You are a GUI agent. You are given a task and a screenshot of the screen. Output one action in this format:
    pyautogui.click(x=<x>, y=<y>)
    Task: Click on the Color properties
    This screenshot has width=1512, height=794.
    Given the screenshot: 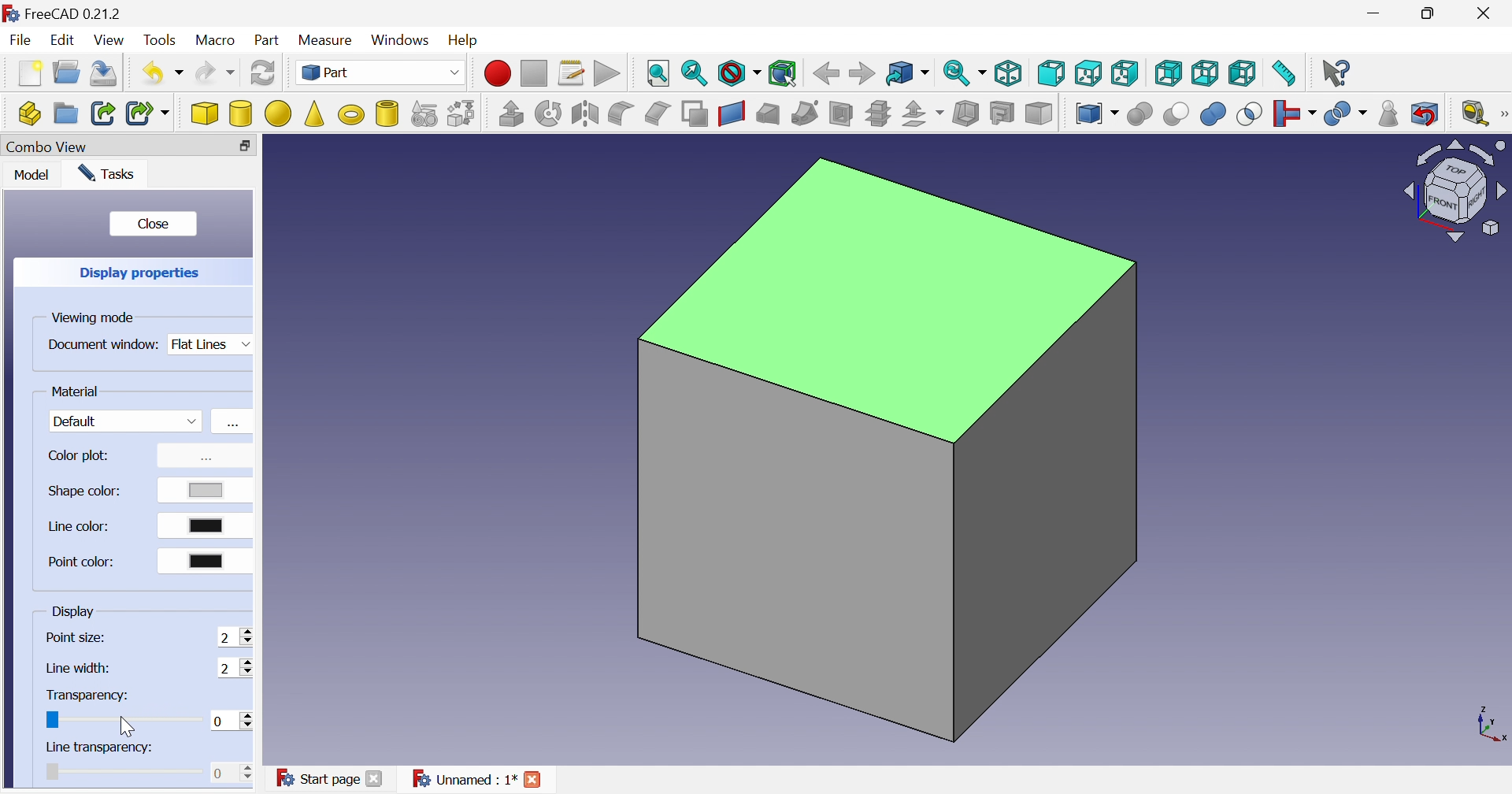 What is the action you would take?
    pyautogui.click(x=201, y=459)
    